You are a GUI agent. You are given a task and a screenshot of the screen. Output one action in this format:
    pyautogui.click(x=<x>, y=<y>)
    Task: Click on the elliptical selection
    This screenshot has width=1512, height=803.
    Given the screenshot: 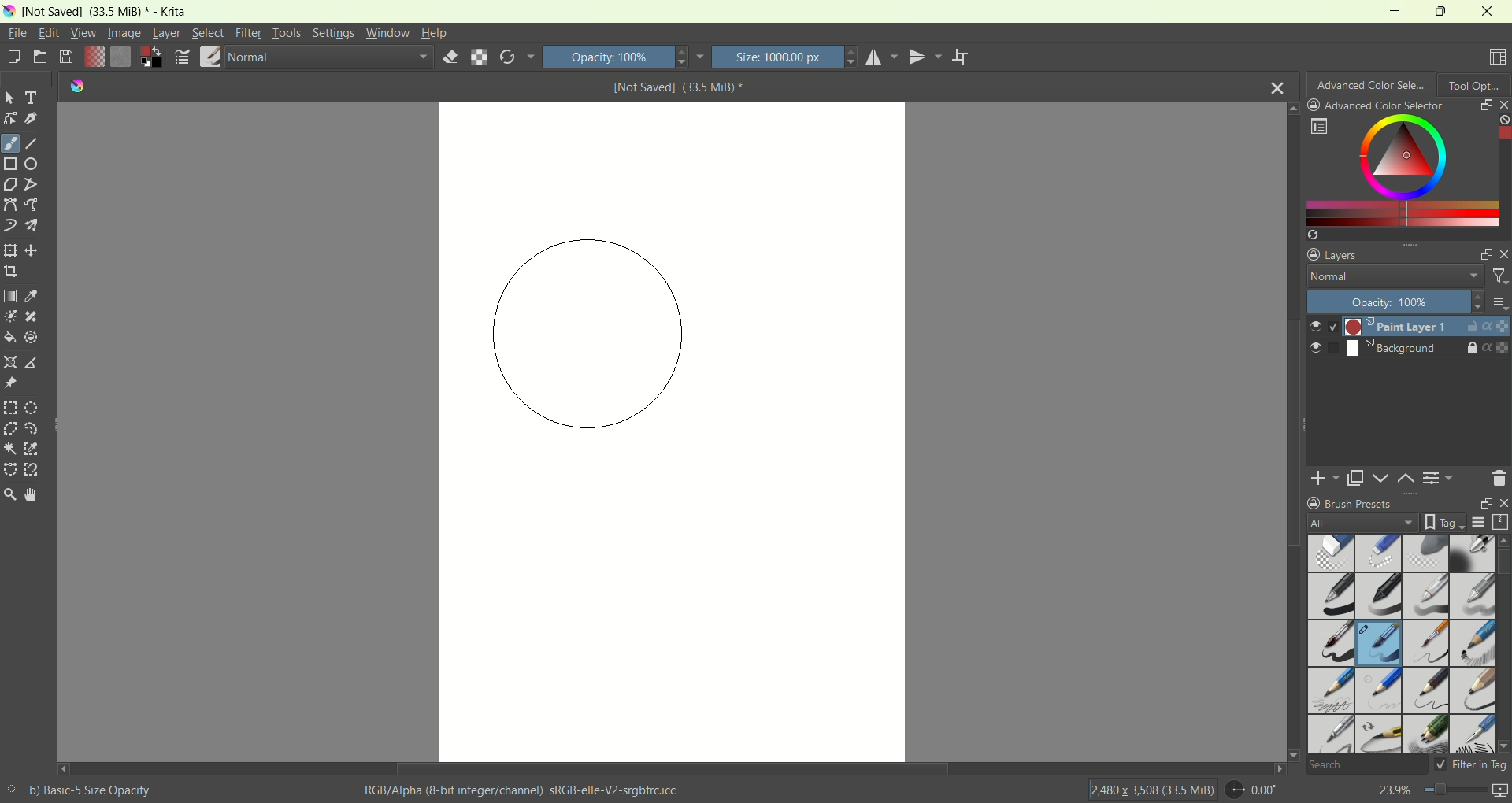 What is the action you would take?
    pyautogui.click(x=31, y=409)
    